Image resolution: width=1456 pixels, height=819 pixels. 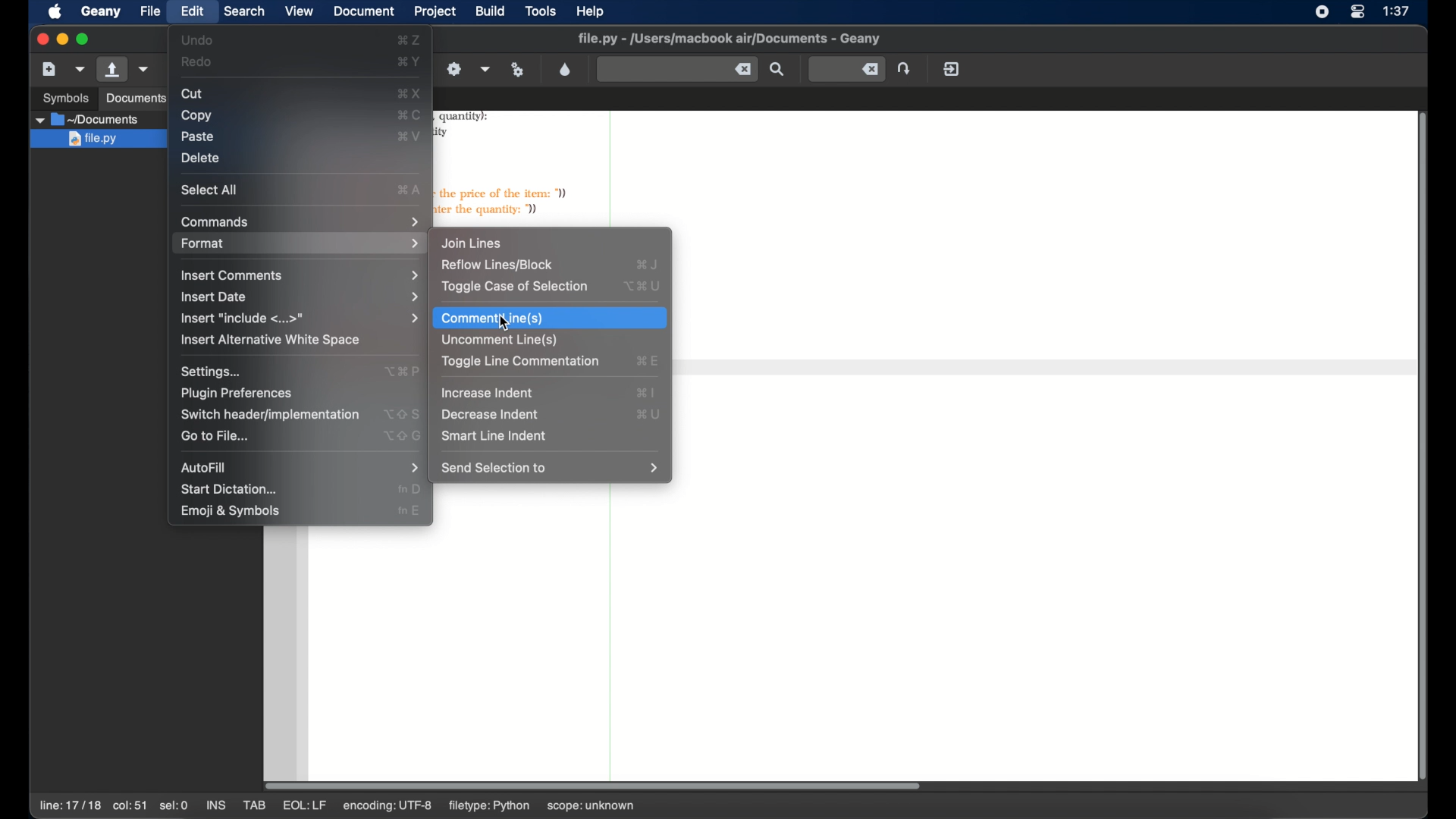 What do you see at coordinates (268, 340) in the screenshot?
I see `insert alternative white space` at bounding box center [268, 340].